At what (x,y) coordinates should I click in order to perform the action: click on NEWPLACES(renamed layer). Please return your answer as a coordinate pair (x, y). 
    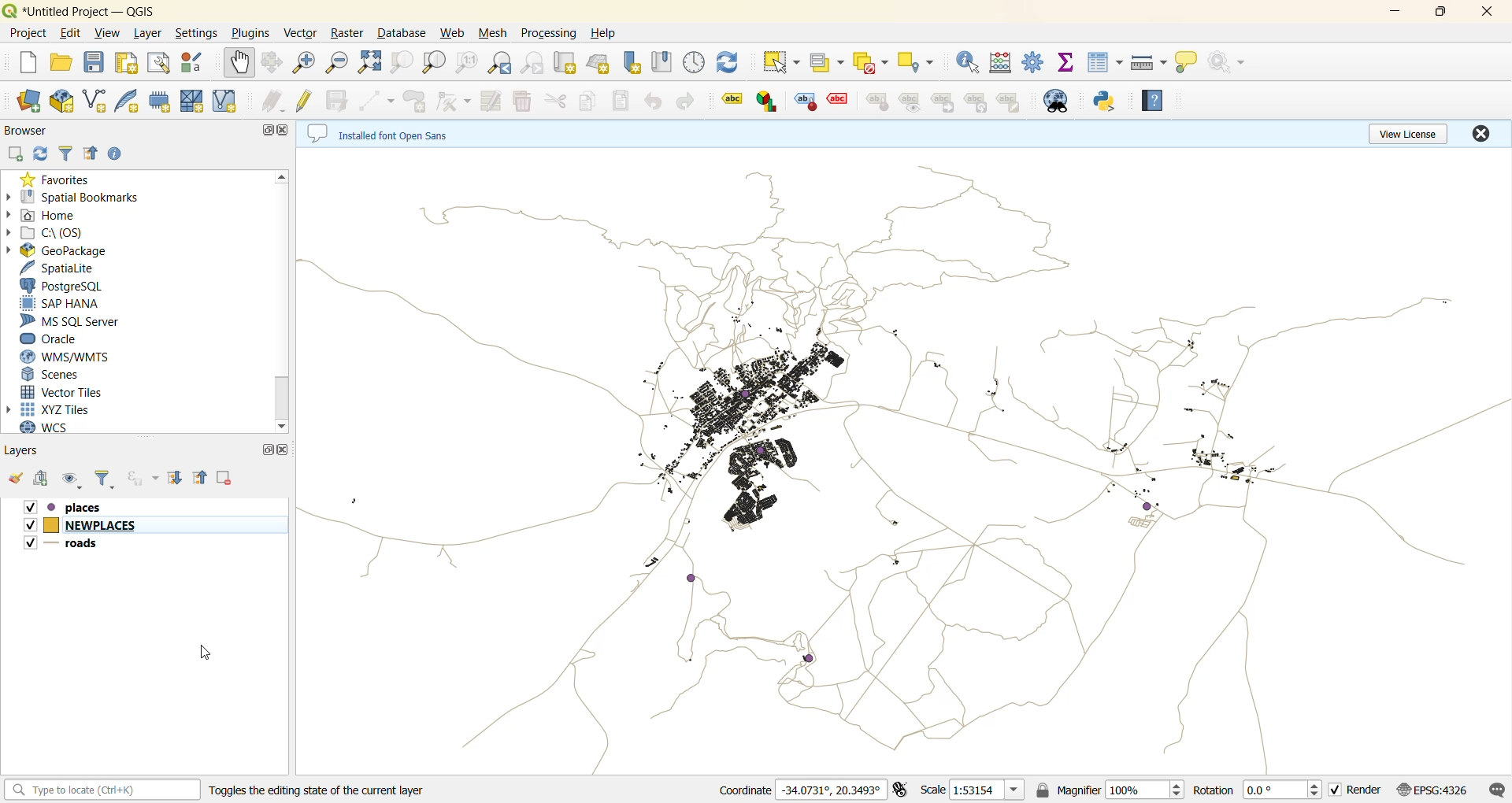
    Looking at the image, I should click on (83, 525).